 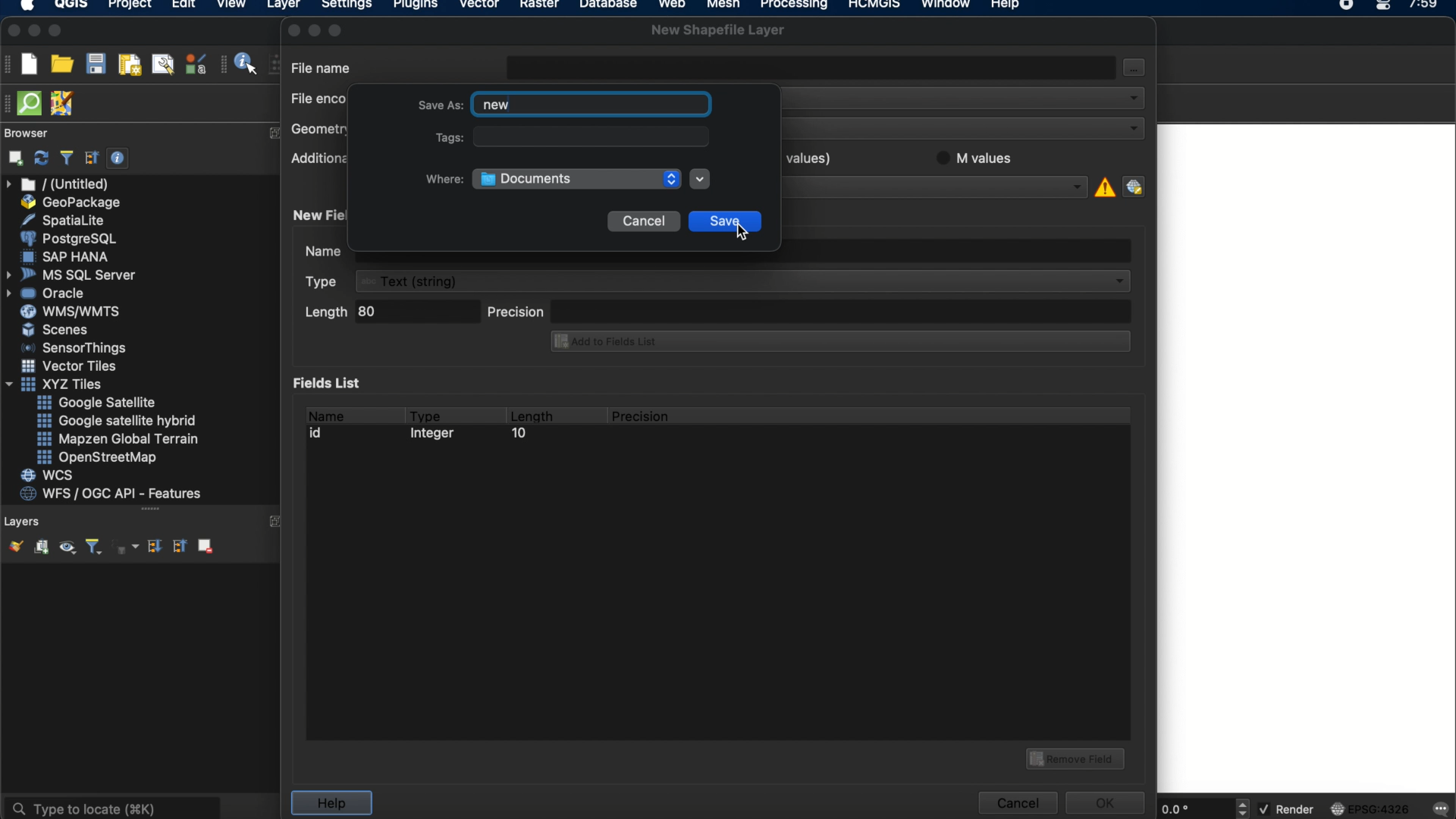 What do you see at coordinates (42, 158) in the screenshot?
I see `refresh` at bounding box center [42, 158].